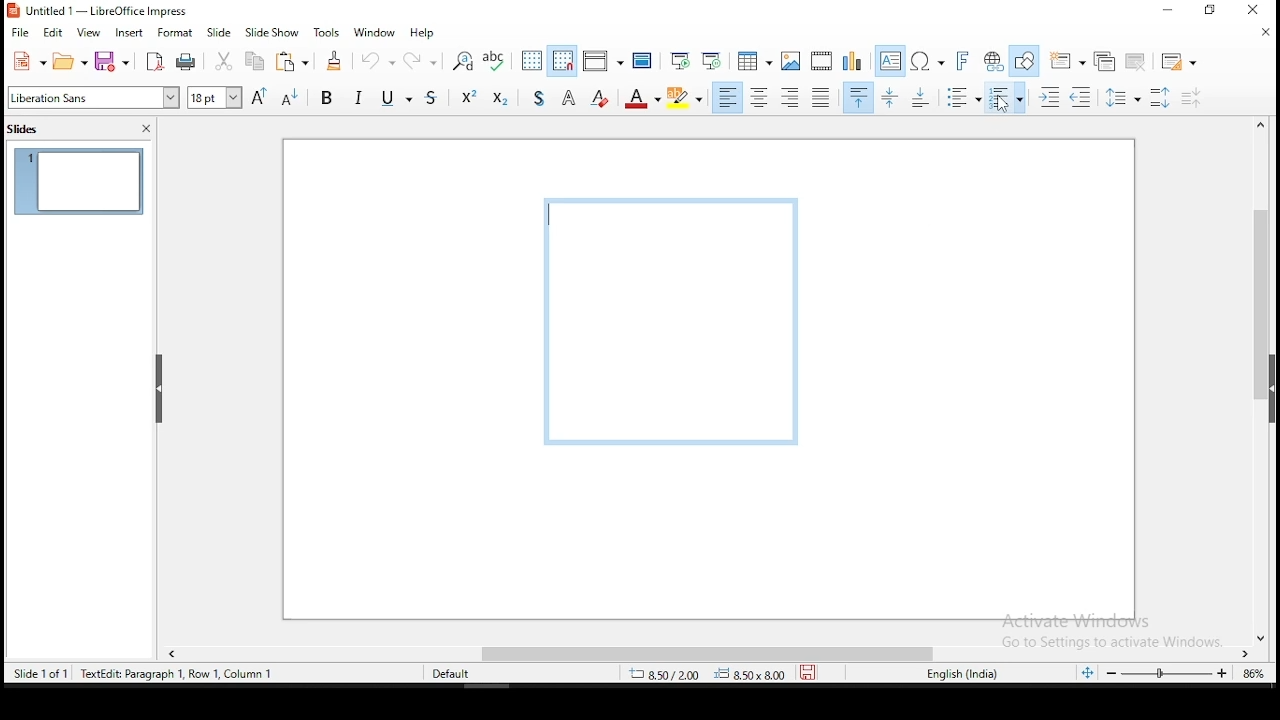 This screenshot has height=720, width=1280. I want to click on slide show, so click(272, 33).